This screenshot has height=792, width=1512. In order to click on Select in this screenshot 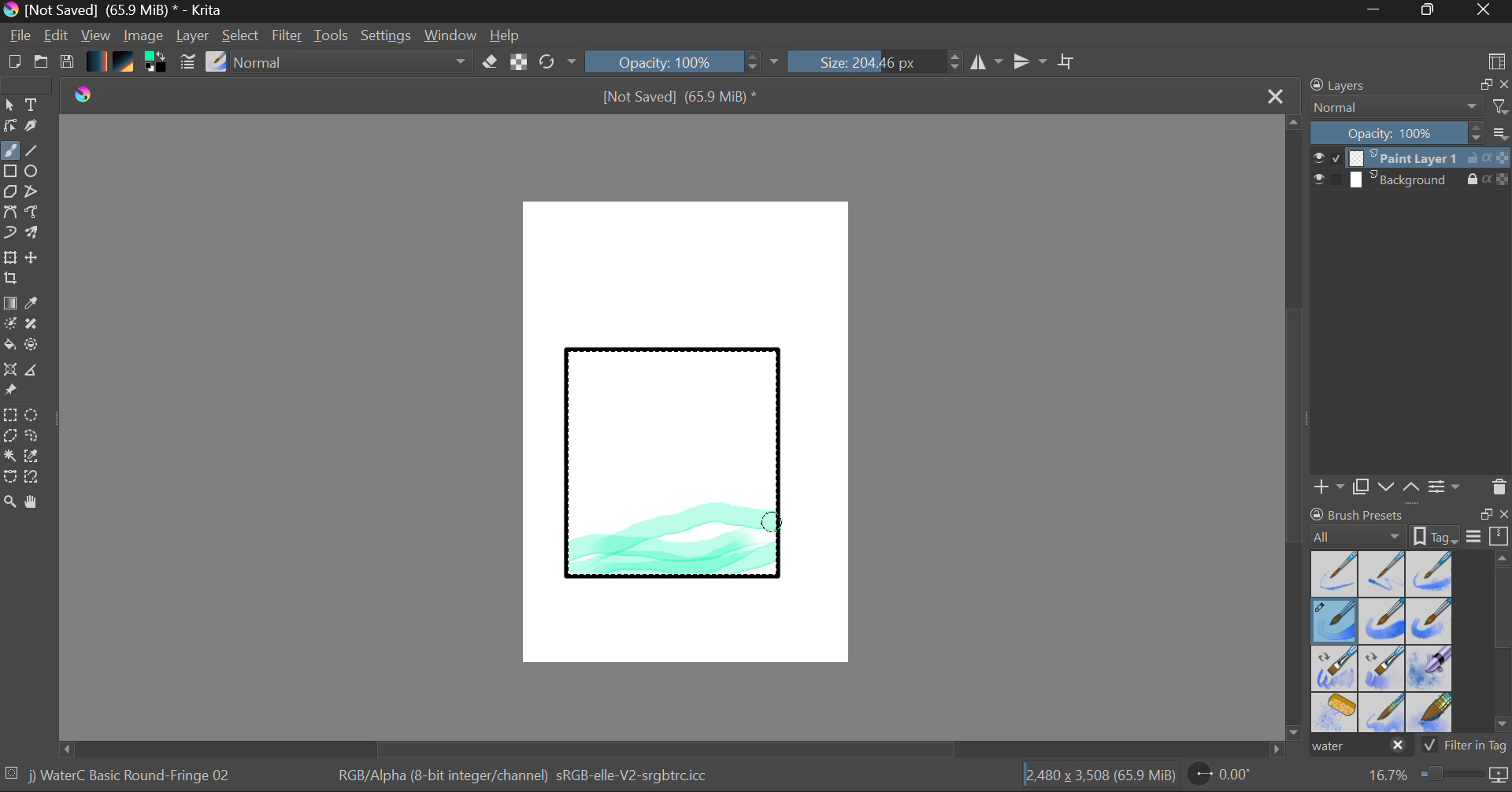, I will do `click(242, 36)`.